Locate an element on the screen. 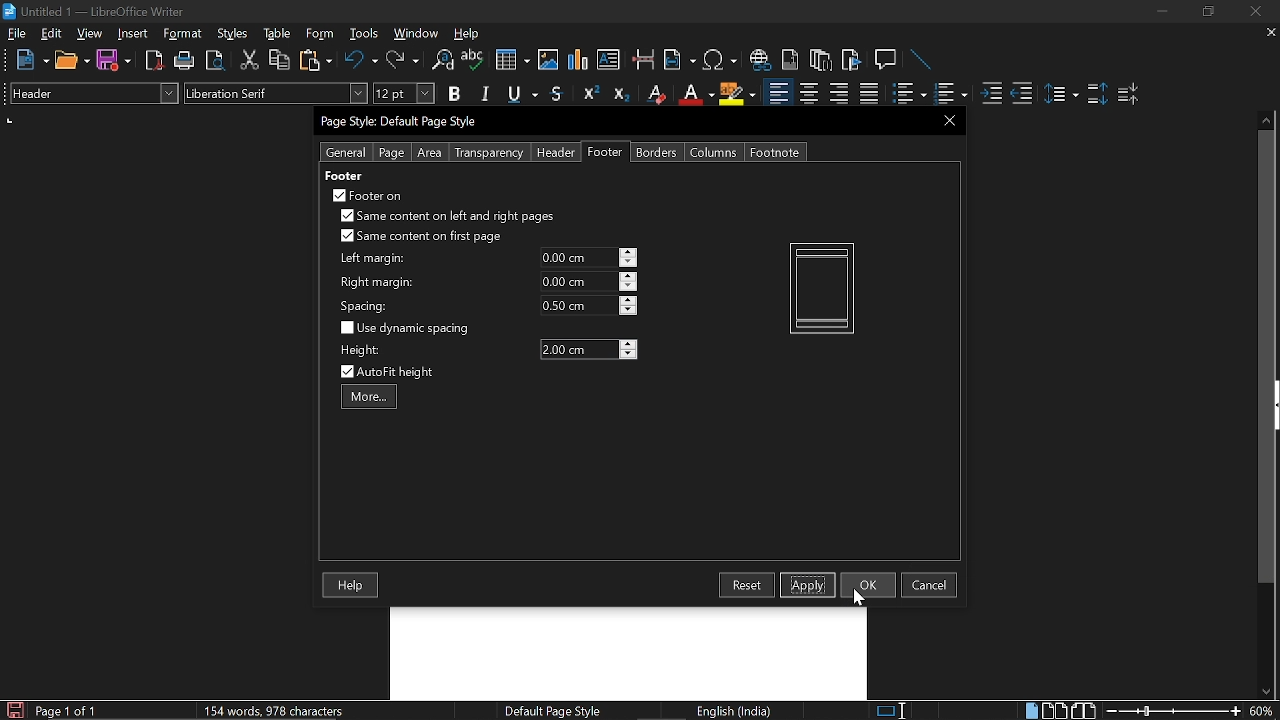 Image resolution: width=1280 pixels, height=720 pixels. Minimize is located at coordinates (1162, 14).